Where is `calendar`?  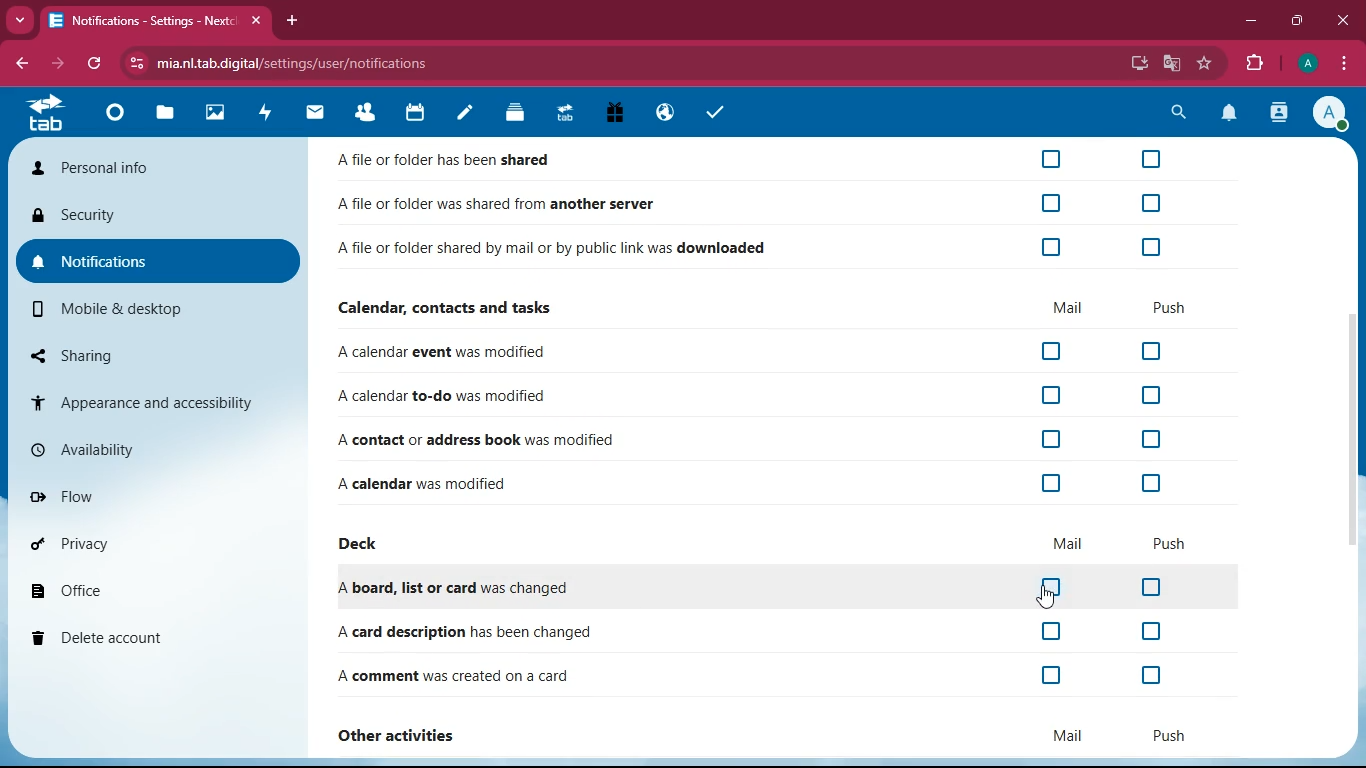 calendar is located at coordinates (415, 115).